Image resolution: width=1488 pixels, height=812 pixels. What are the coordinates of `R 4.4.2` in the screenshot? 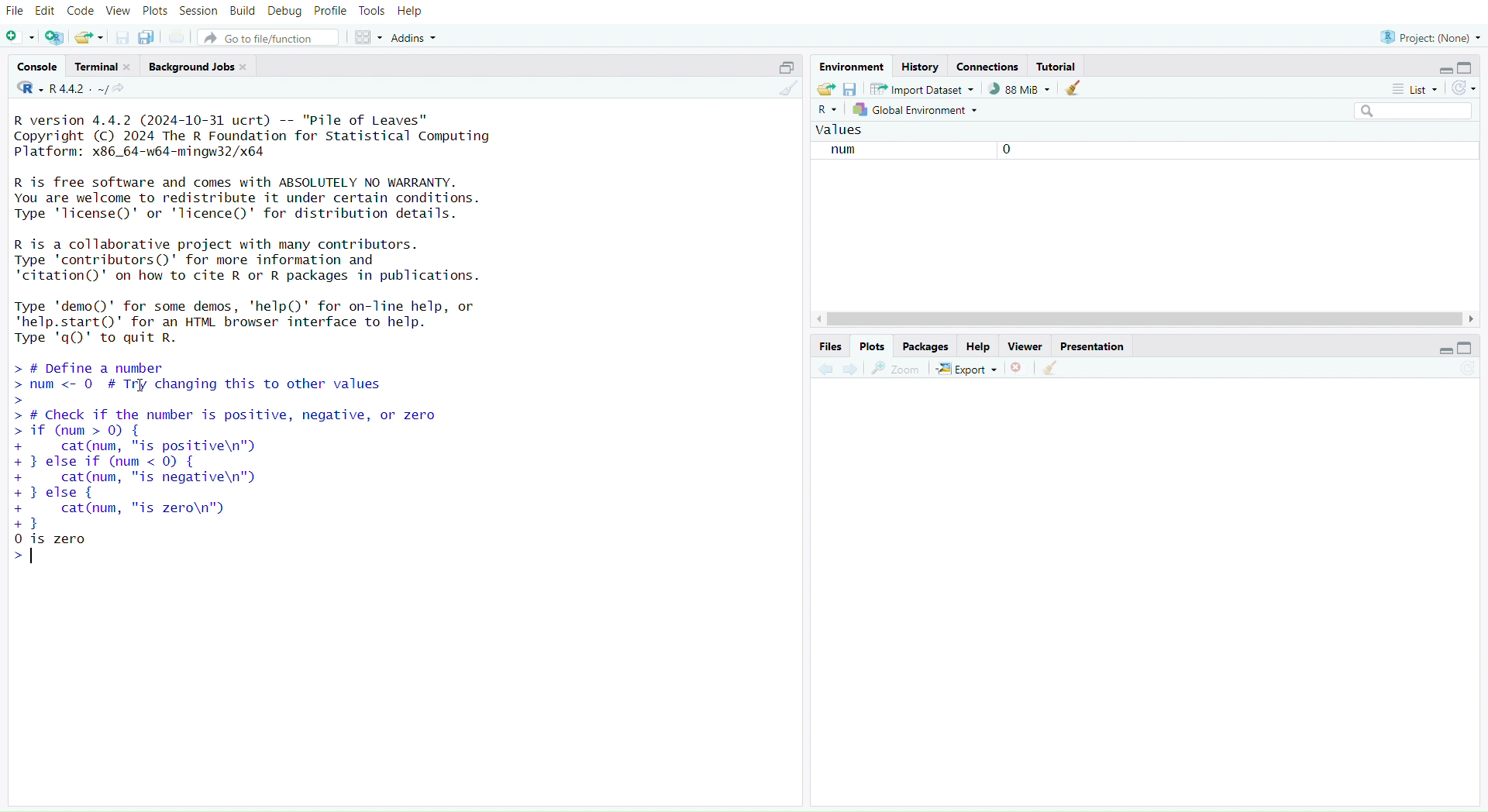 It's located at (63, 89).